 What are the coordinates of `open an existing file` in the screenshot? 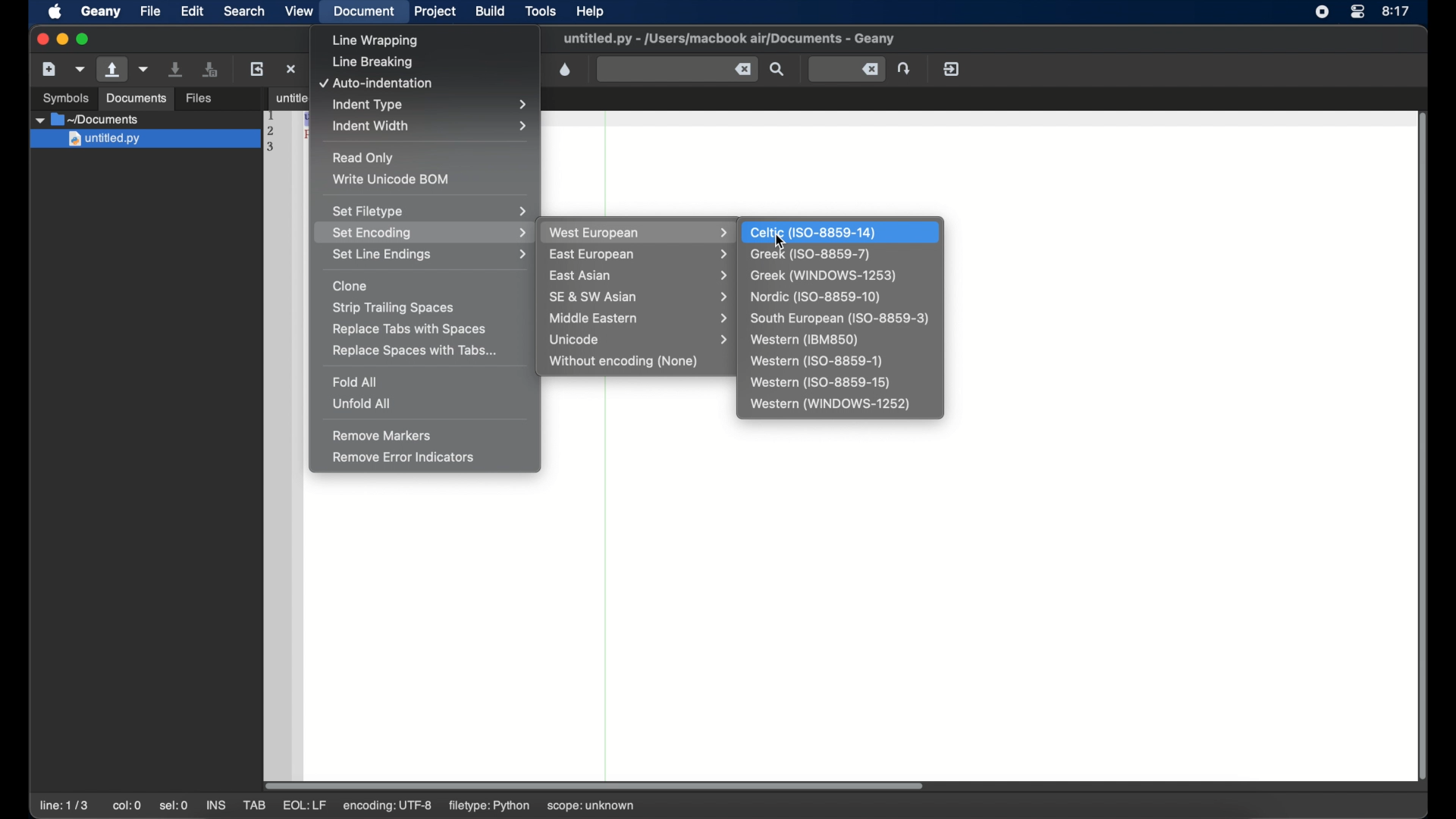 It's located at (112, 70).